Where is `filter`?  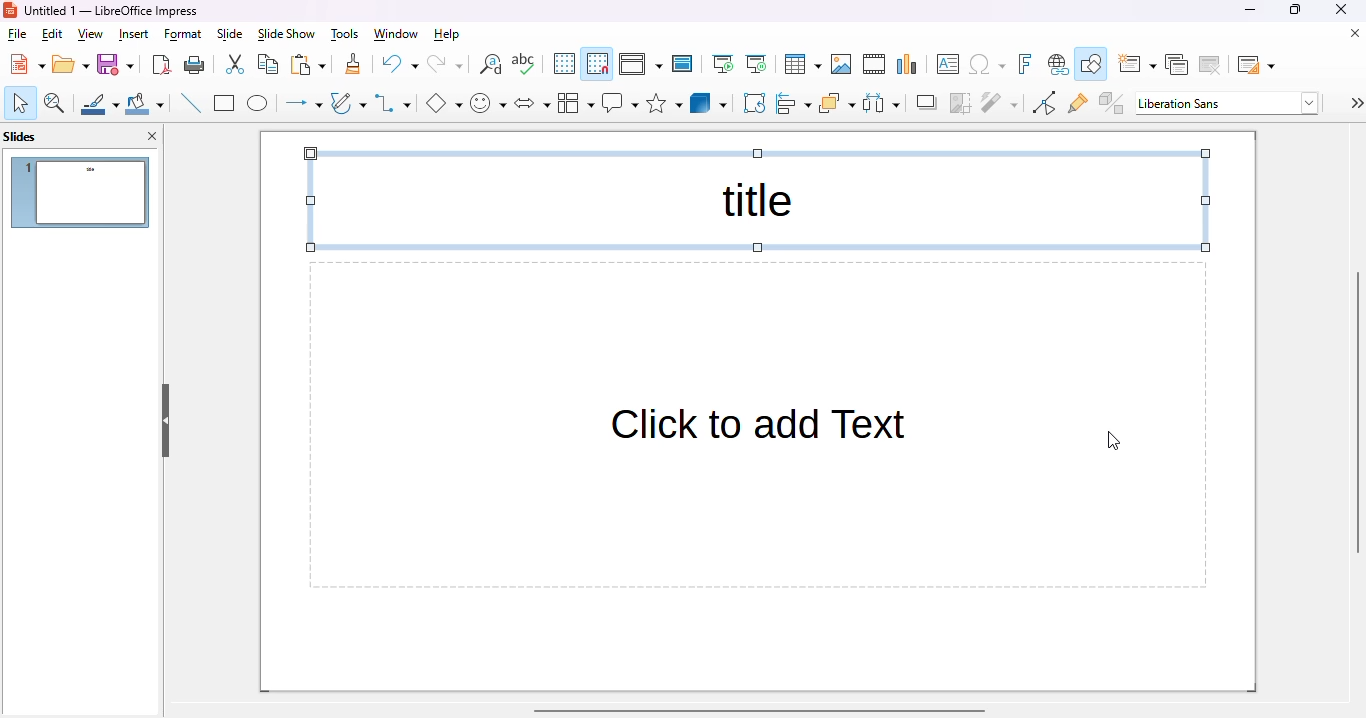
filter is located at coordinates (1000, 103).